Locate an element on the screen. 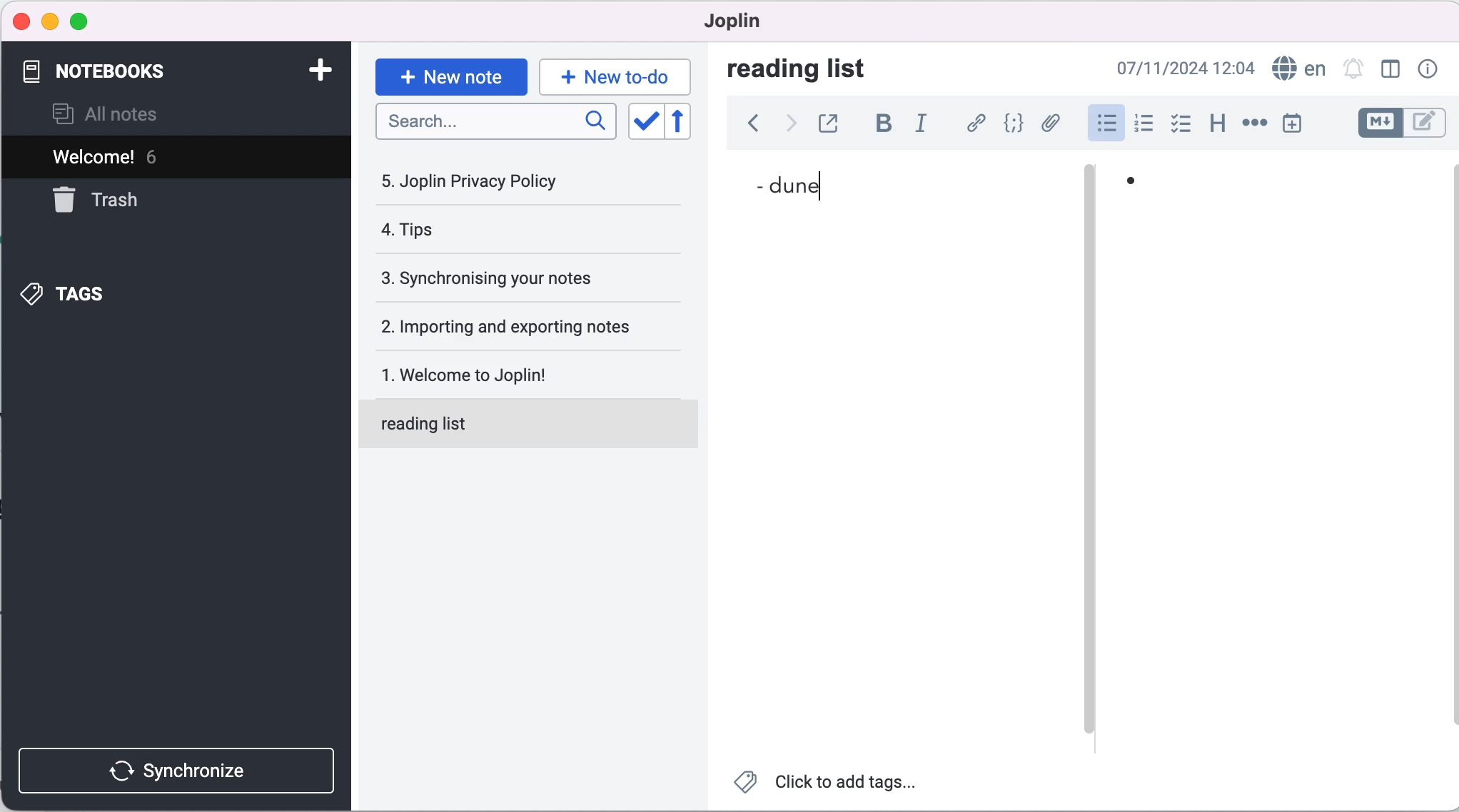  search is located at coordinates (495, 121).